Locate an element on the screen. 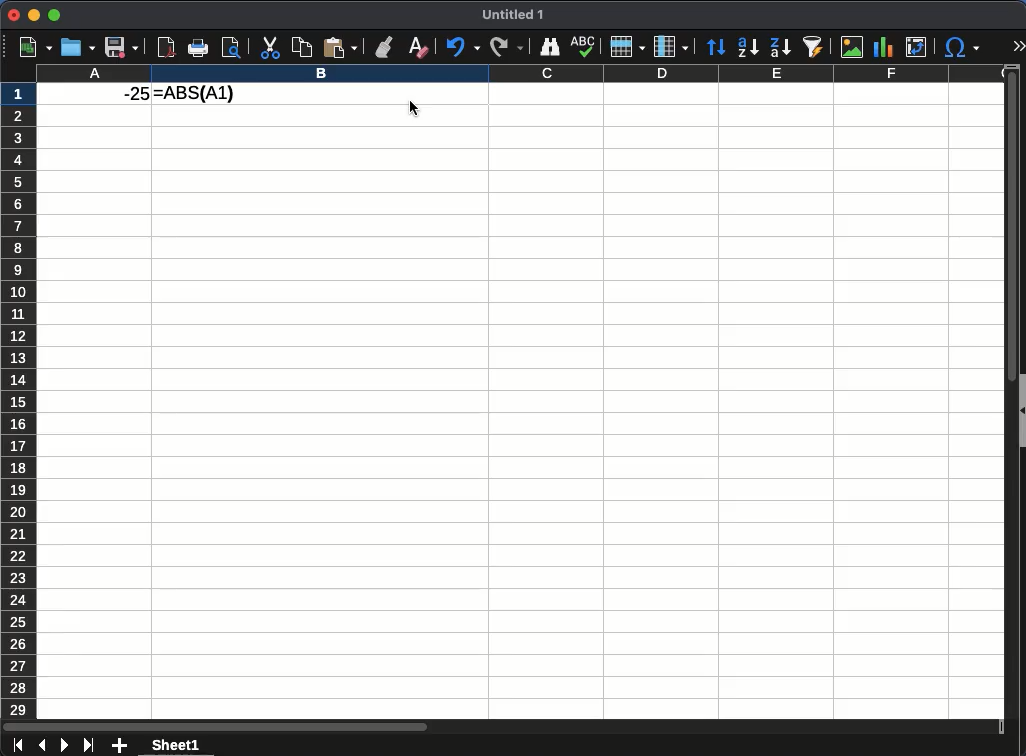 The width and height of the screenshot is (1026, 756). cut is located at coordinates (269, 47).